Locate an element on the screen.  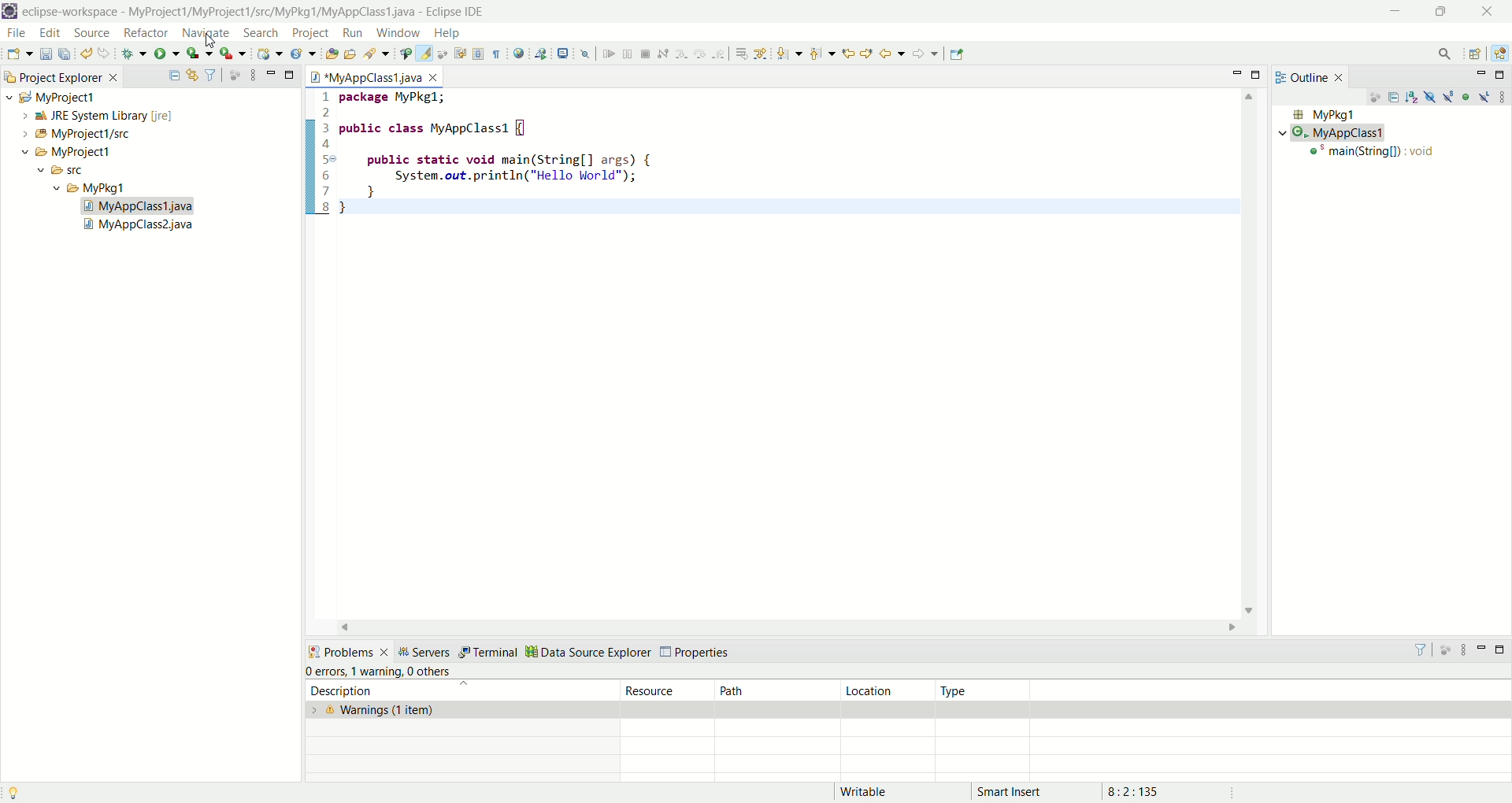
errors is located at coordinates (325, 672).